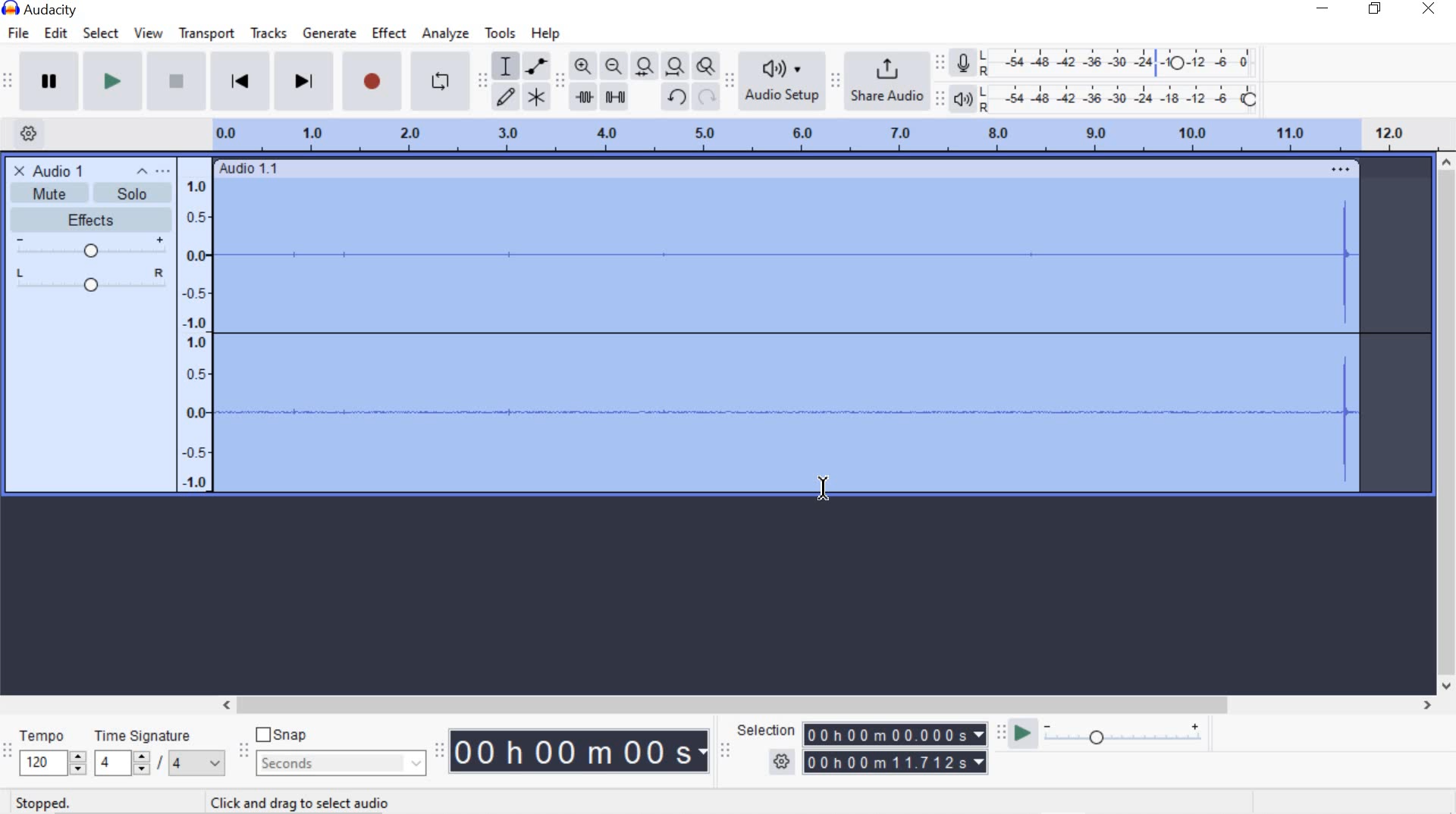  I want to click on Play-at-speed, so click(1018, 734).